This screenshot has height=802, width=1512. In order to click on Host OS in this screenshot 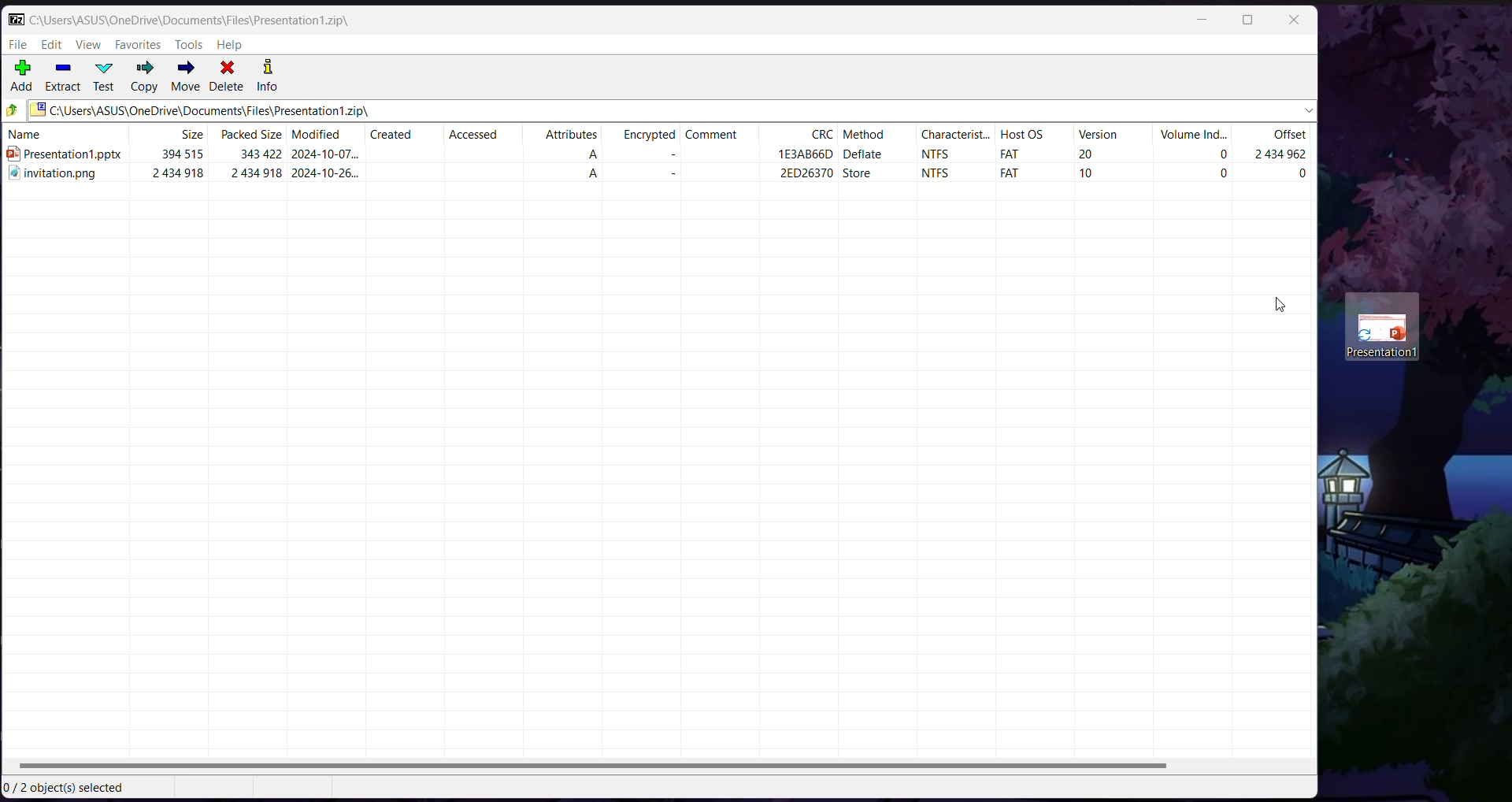, I will do `click(1020, 136)`.